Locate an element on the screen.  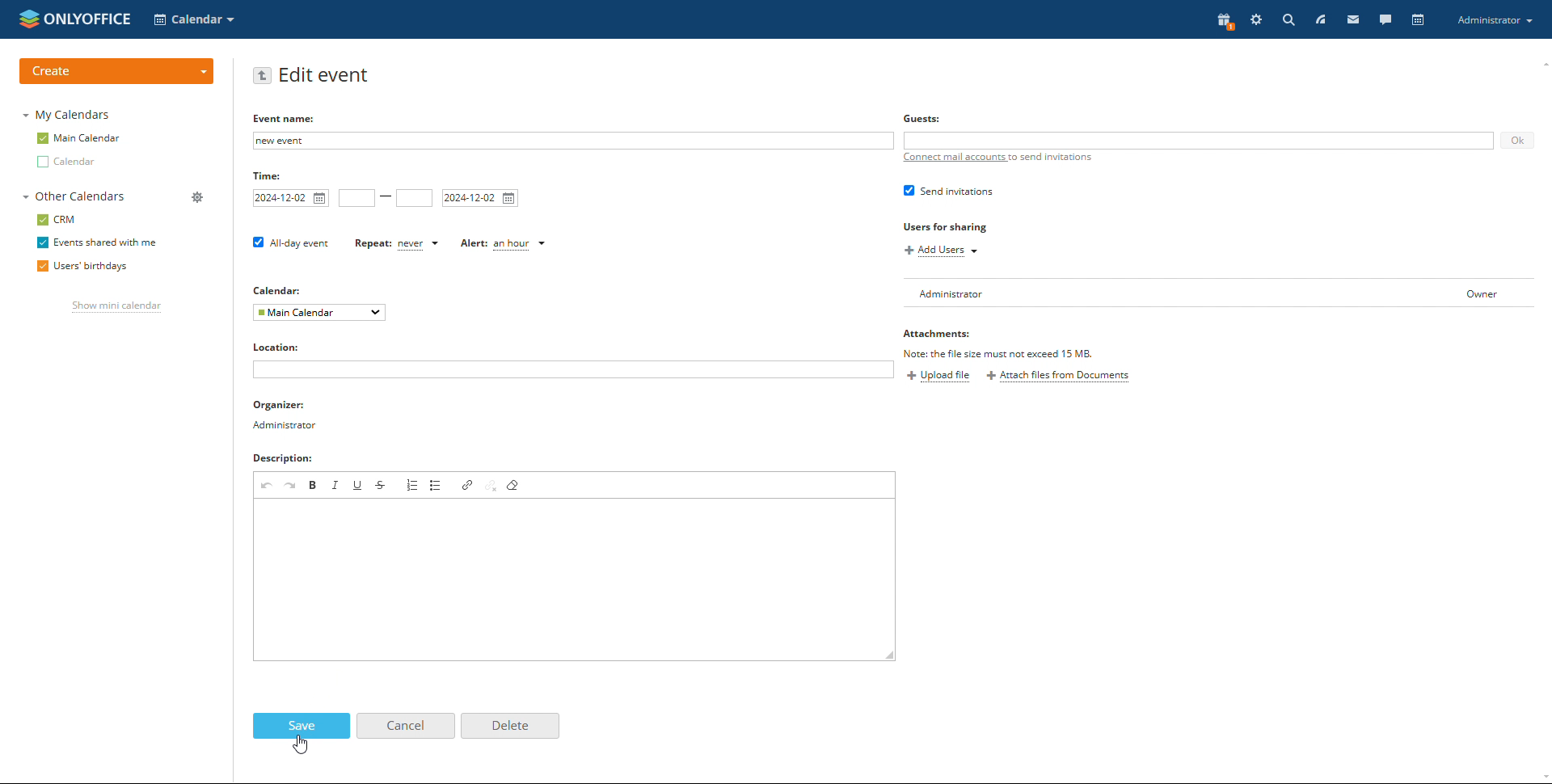
upload file is located at coordinates (940, 378).